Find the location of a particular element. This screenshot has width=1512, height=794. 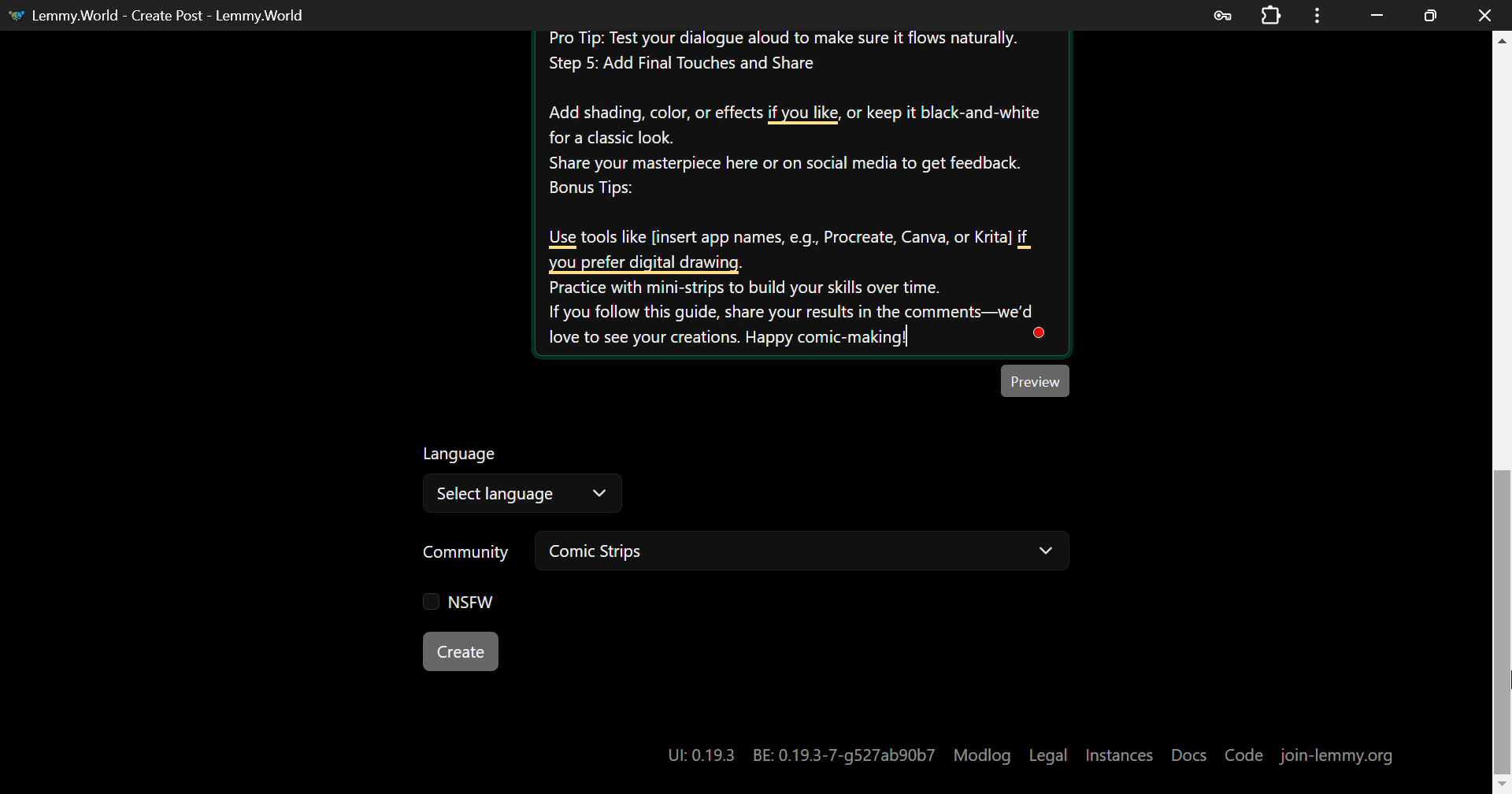

Scroll Bar is located at coordinates (1503, 409).